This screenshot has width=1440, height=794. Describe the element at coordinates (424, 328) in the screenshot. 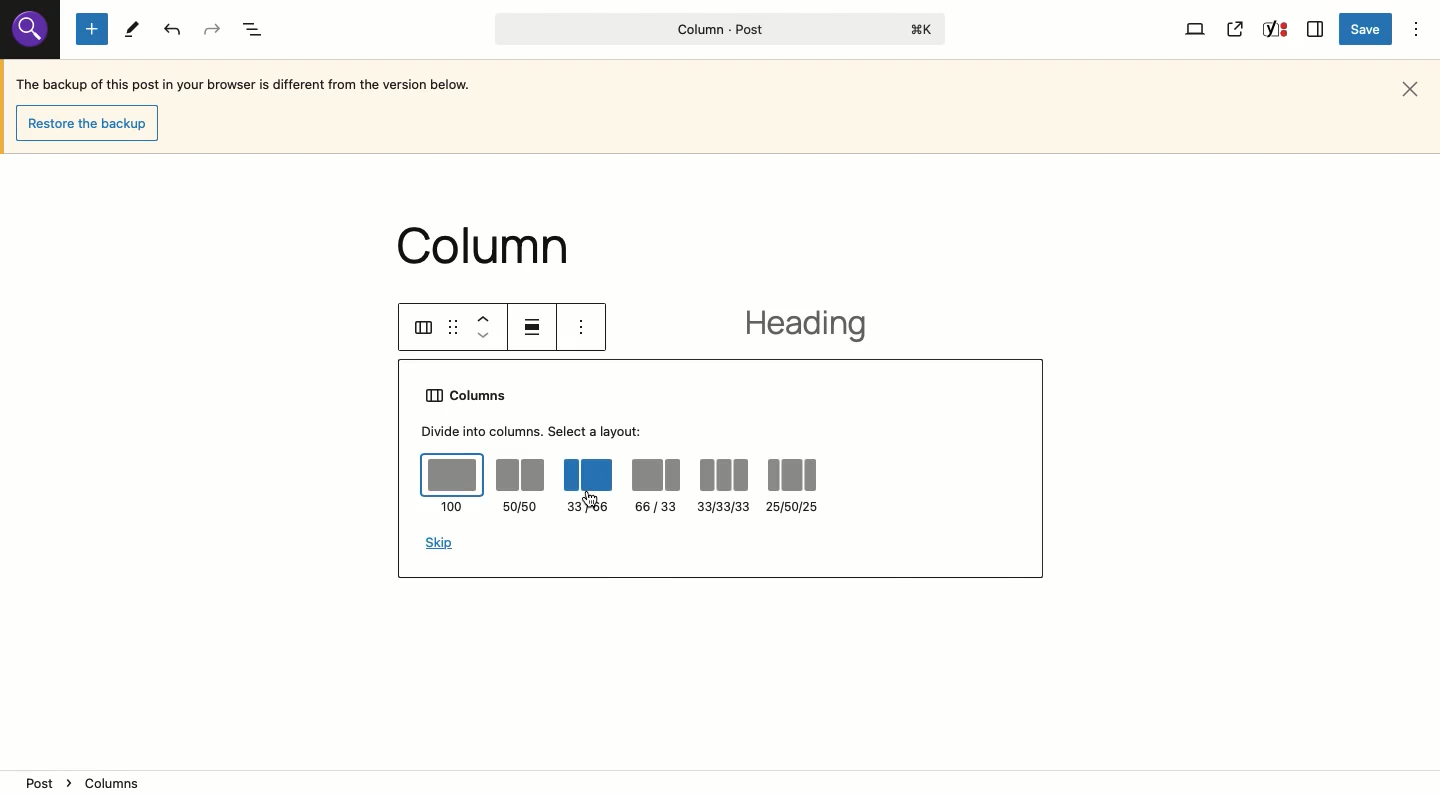

I see `Columns` at that location.